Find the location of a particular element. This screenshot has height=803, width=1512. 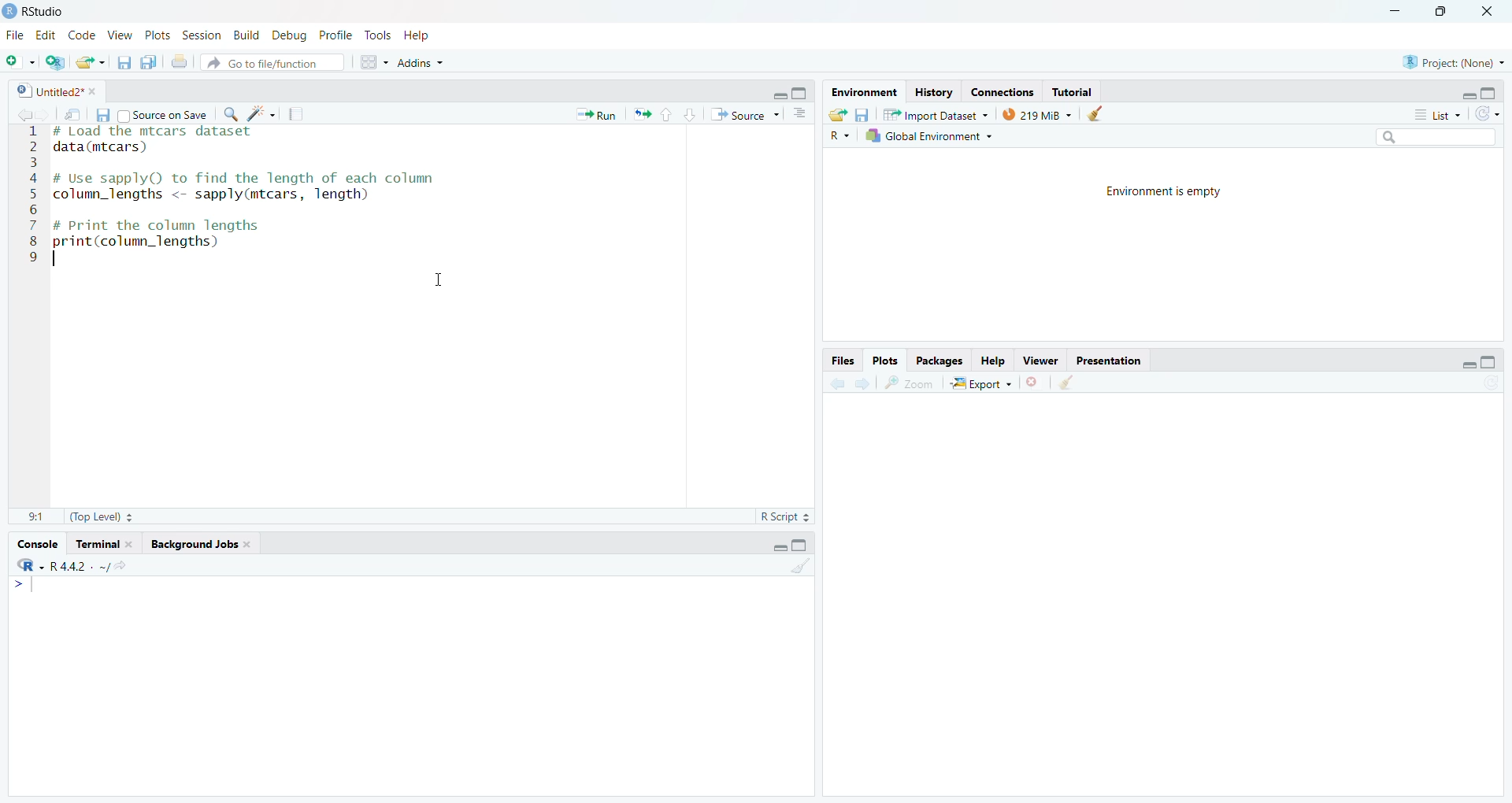

Source is located at coordinates (744, 114).